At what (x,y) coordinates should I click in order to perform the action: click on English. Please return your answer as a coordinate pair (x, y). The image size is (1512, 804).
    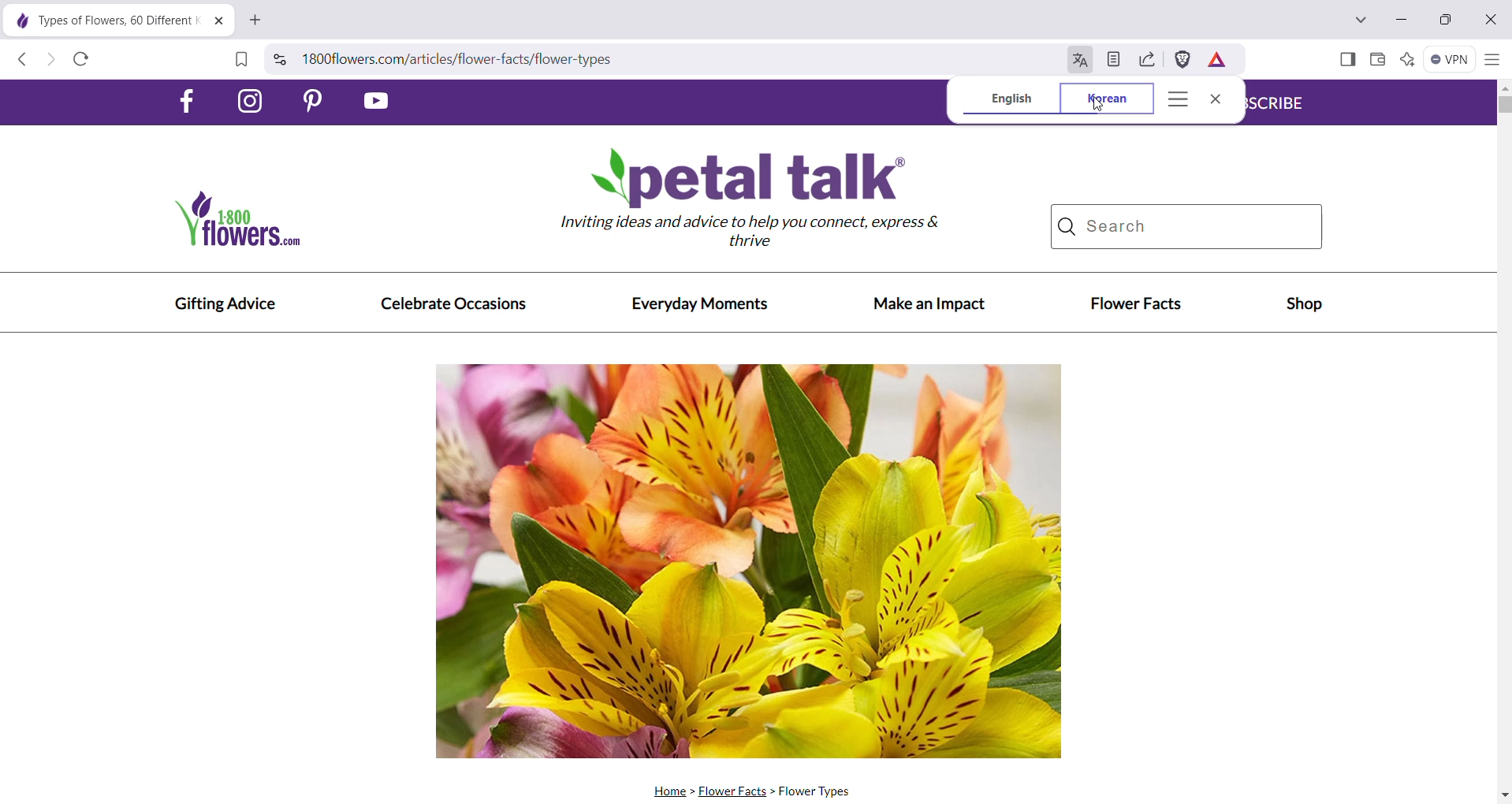
    Looking at the image, I should click on (1013, 99).